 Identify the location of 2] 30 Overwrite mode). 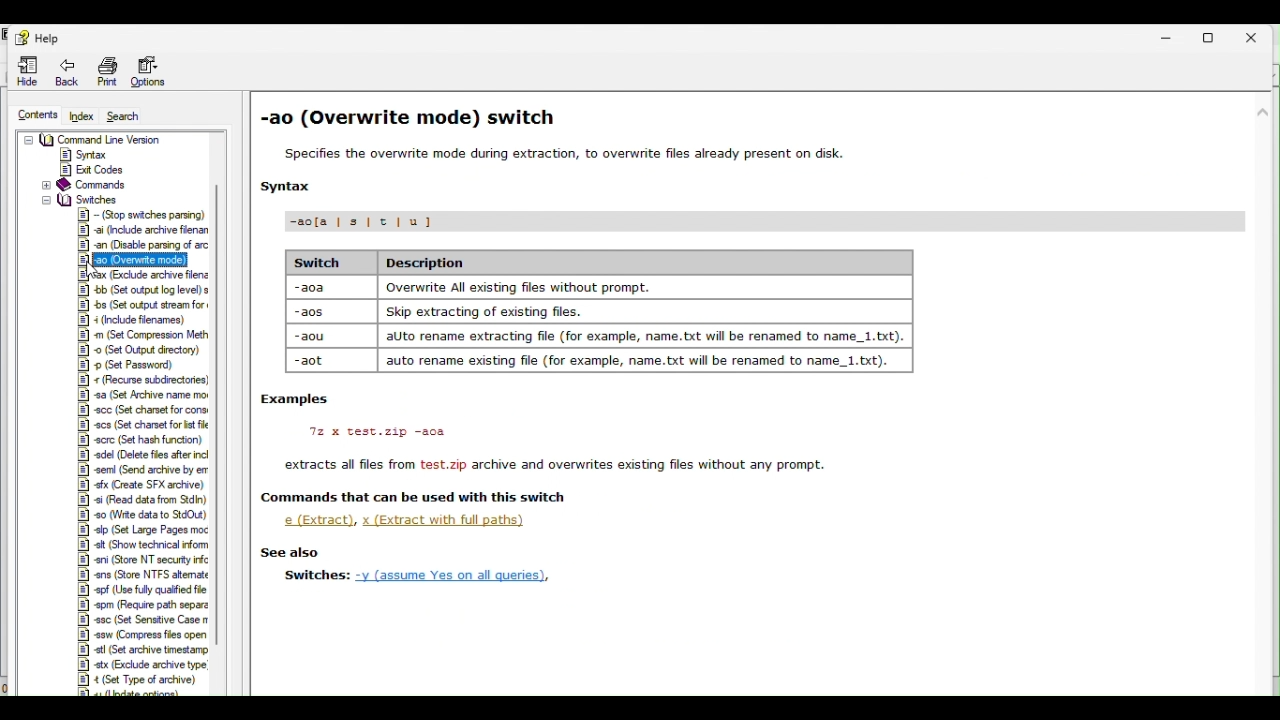
(131, 258).